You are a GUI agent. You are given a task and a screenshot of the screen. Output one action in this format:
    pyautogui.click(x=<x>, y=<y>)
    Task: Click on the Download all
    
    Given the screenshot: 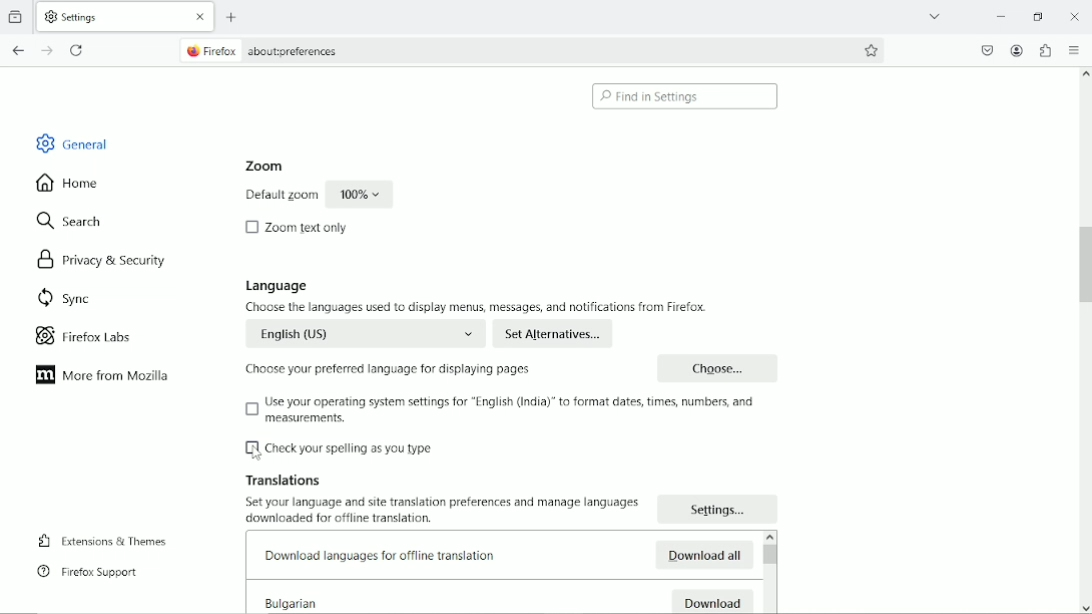 What is the action you would take?
    pyautogui.click(x=702, y=556)
    